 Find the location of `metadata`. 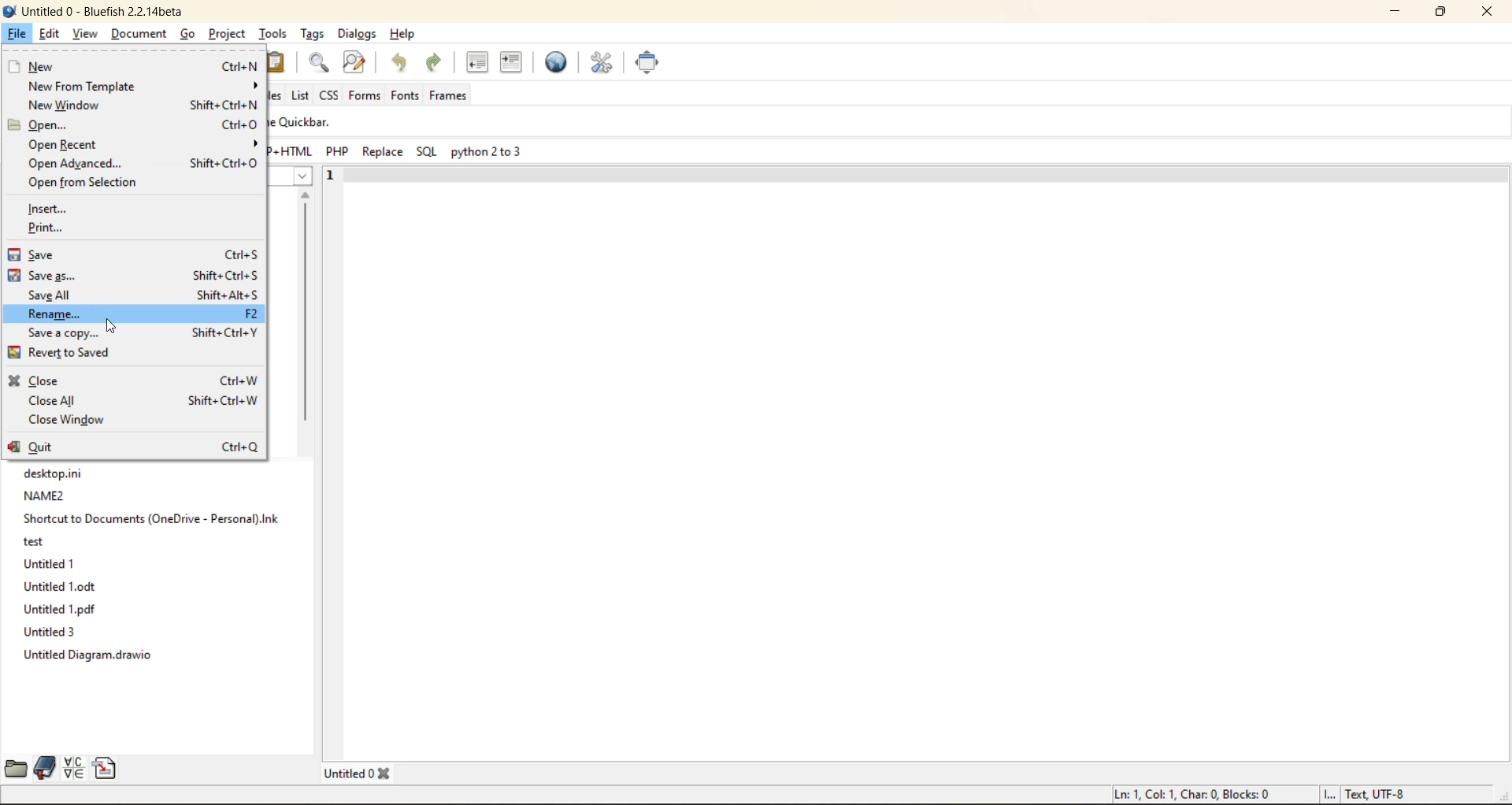

metadata is located at coordinates (1262, 795).